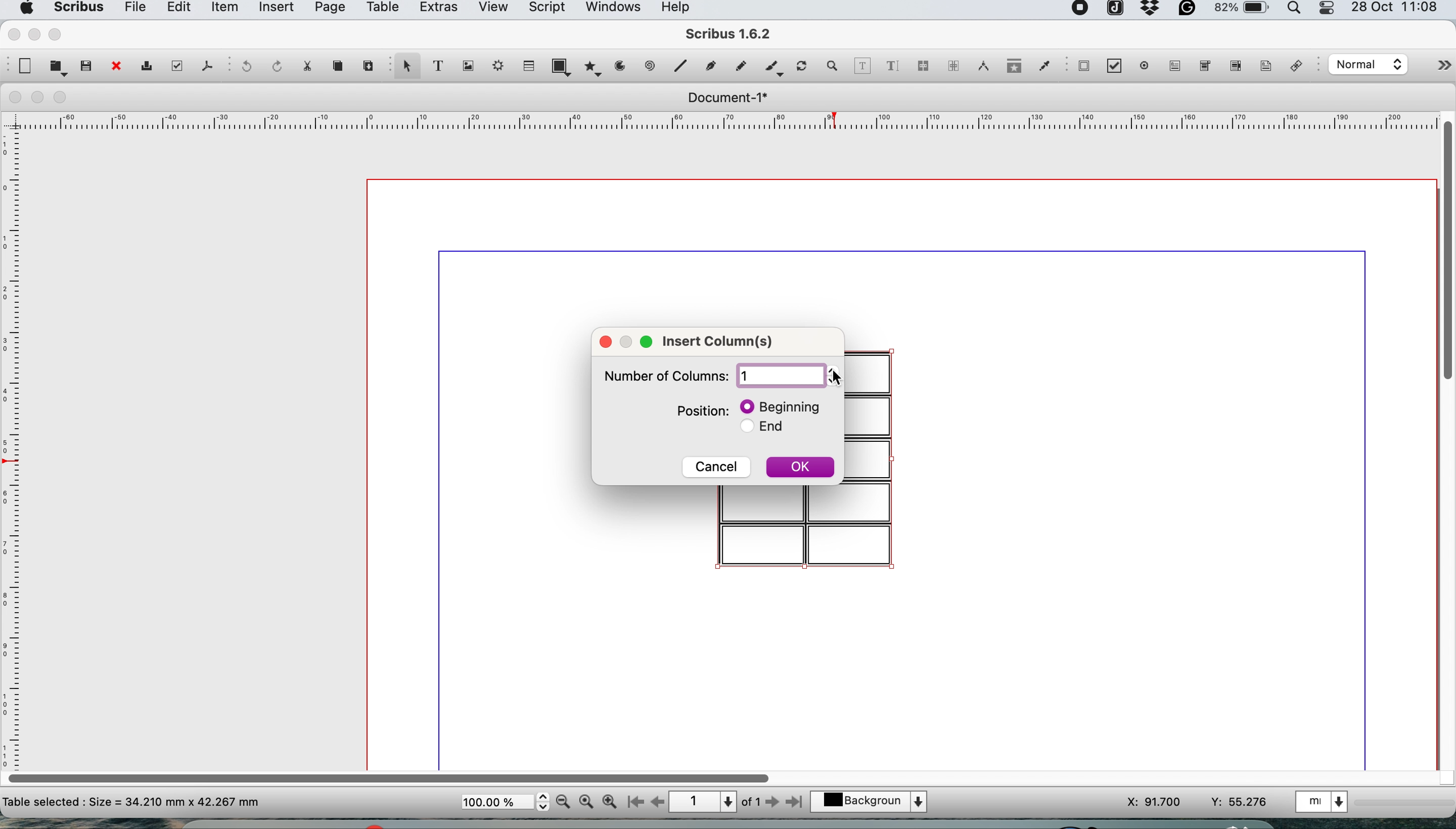 Image resolution: width=1456 pixels, height=829 pixels. What do you see at coordinates (466, 66) in the screenshot?
I see `image frame` at bounding box center [466, 66].